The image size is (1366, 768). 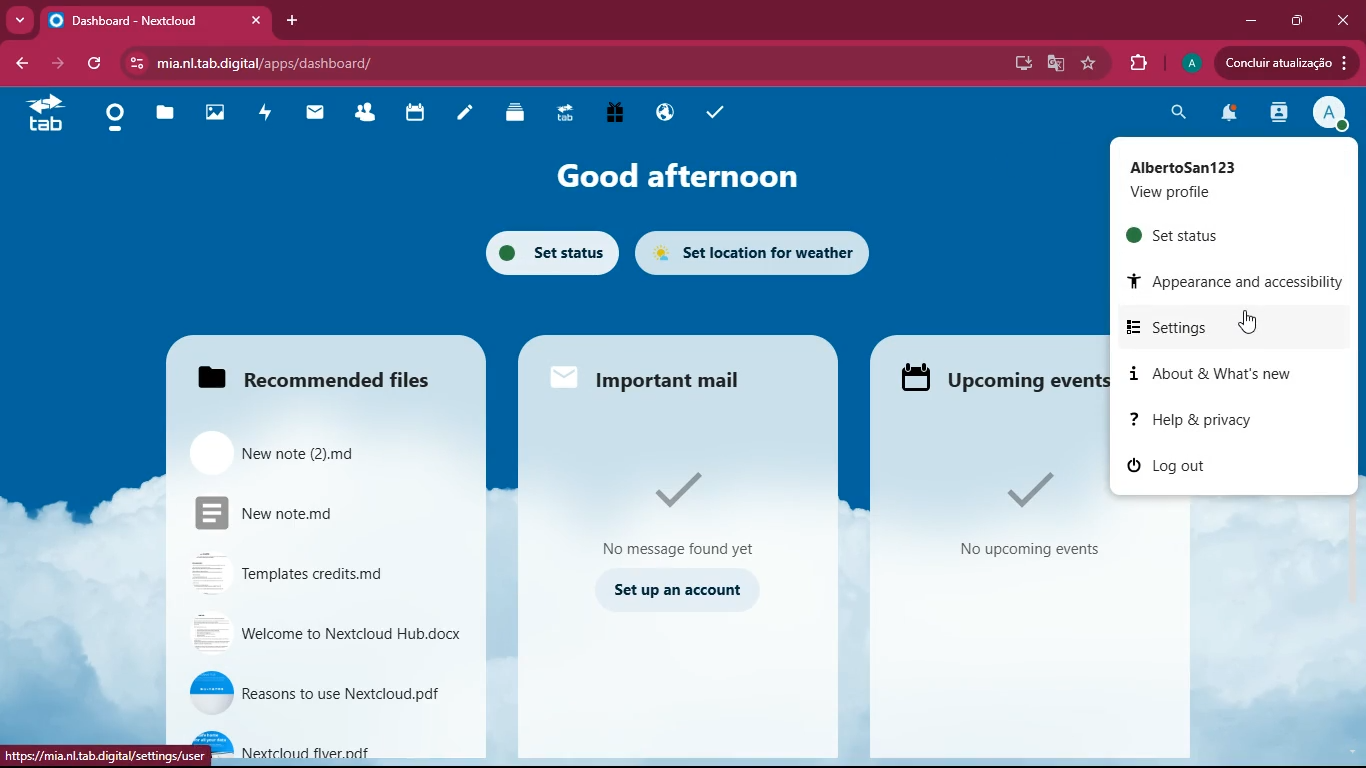 What do you see at coordinates (310, 449) in the screenshot?
I see `file` at bounding box center [310, 449].